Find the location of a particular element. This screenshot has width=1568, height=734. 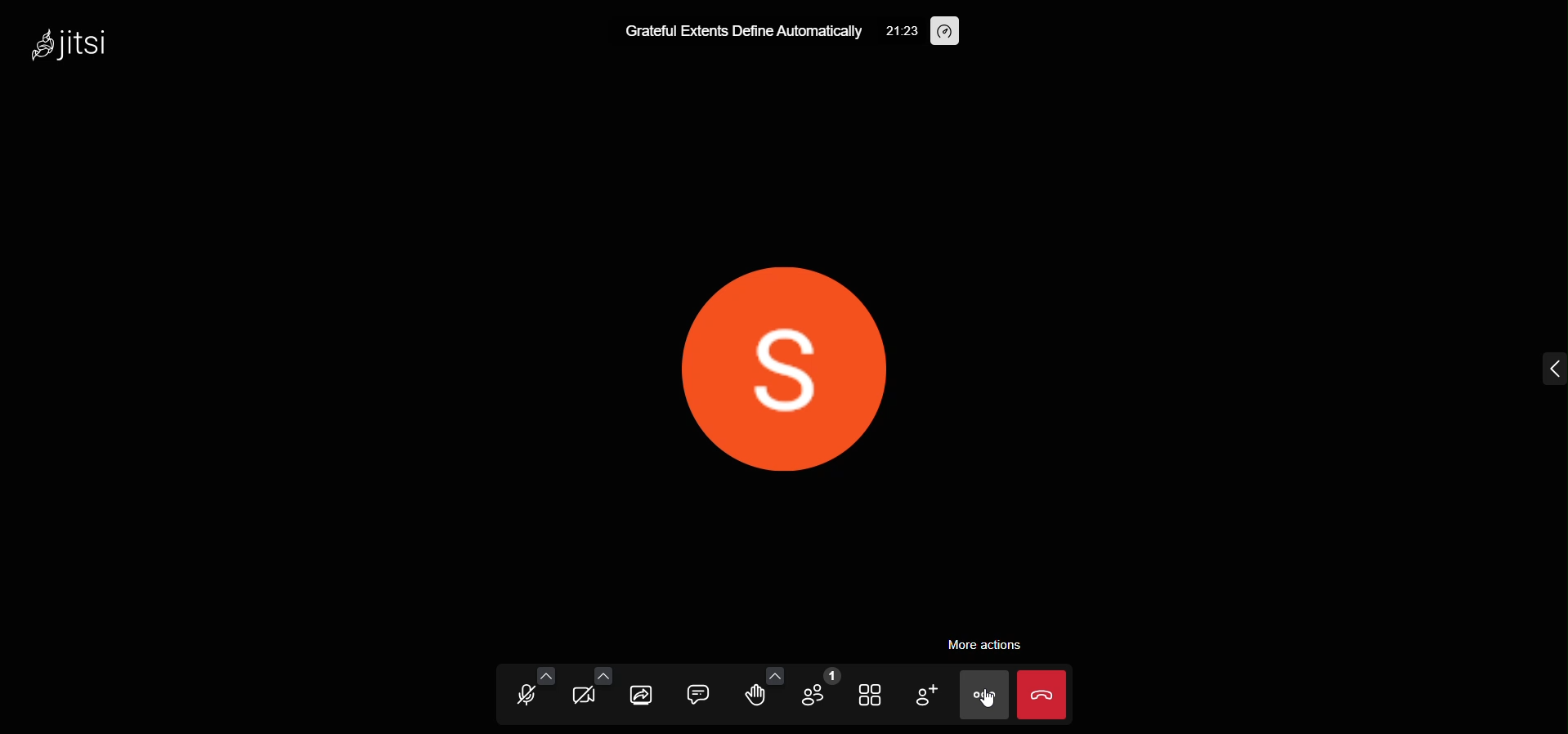

video setting is located at coordinates (605, 672).